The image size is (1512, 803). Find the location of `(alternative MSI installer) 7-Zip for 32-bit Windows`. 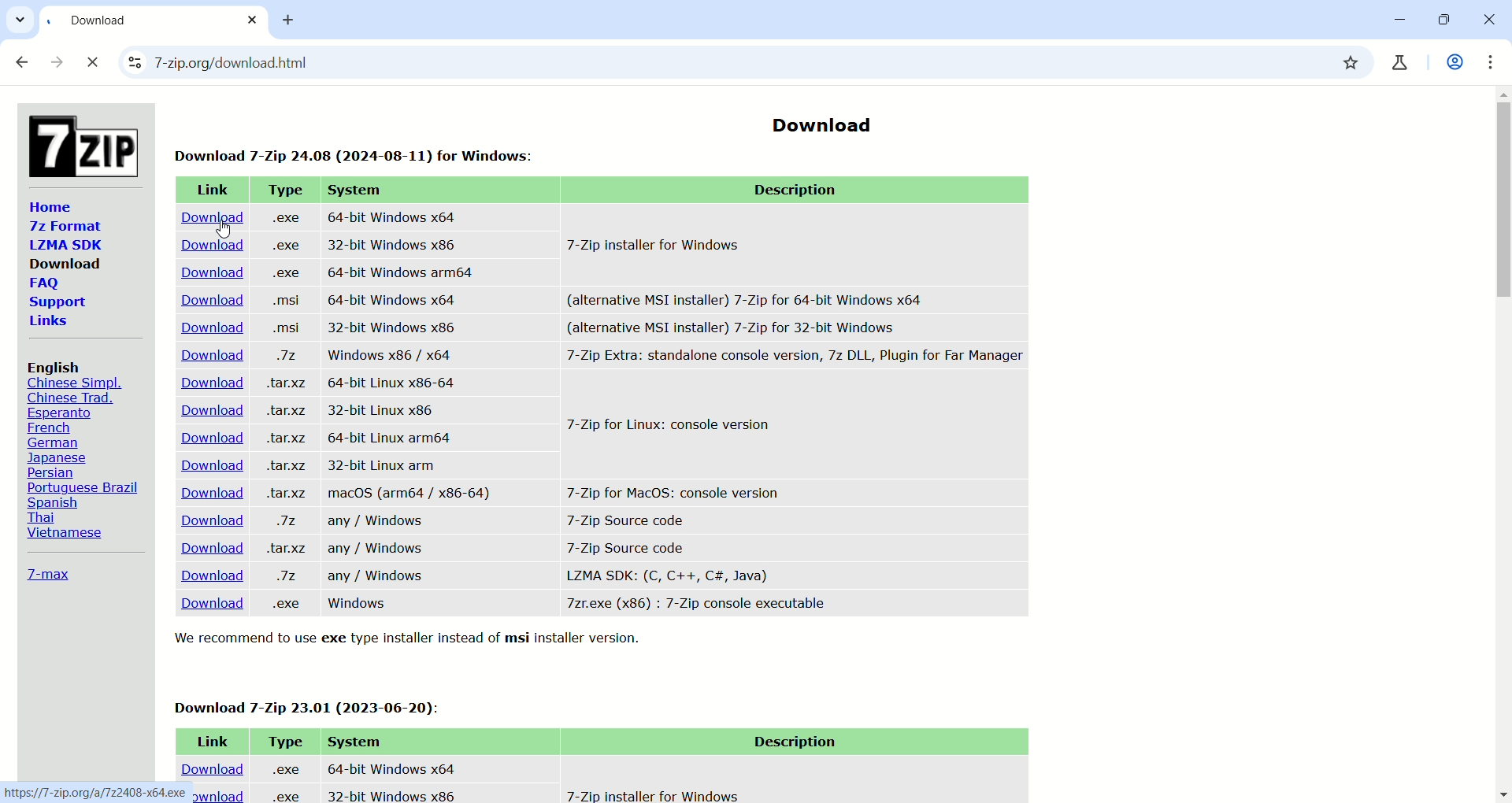

(alternative MSI installer) 7-Zip for 32-bit Windows is located at coordinates (763, 327).